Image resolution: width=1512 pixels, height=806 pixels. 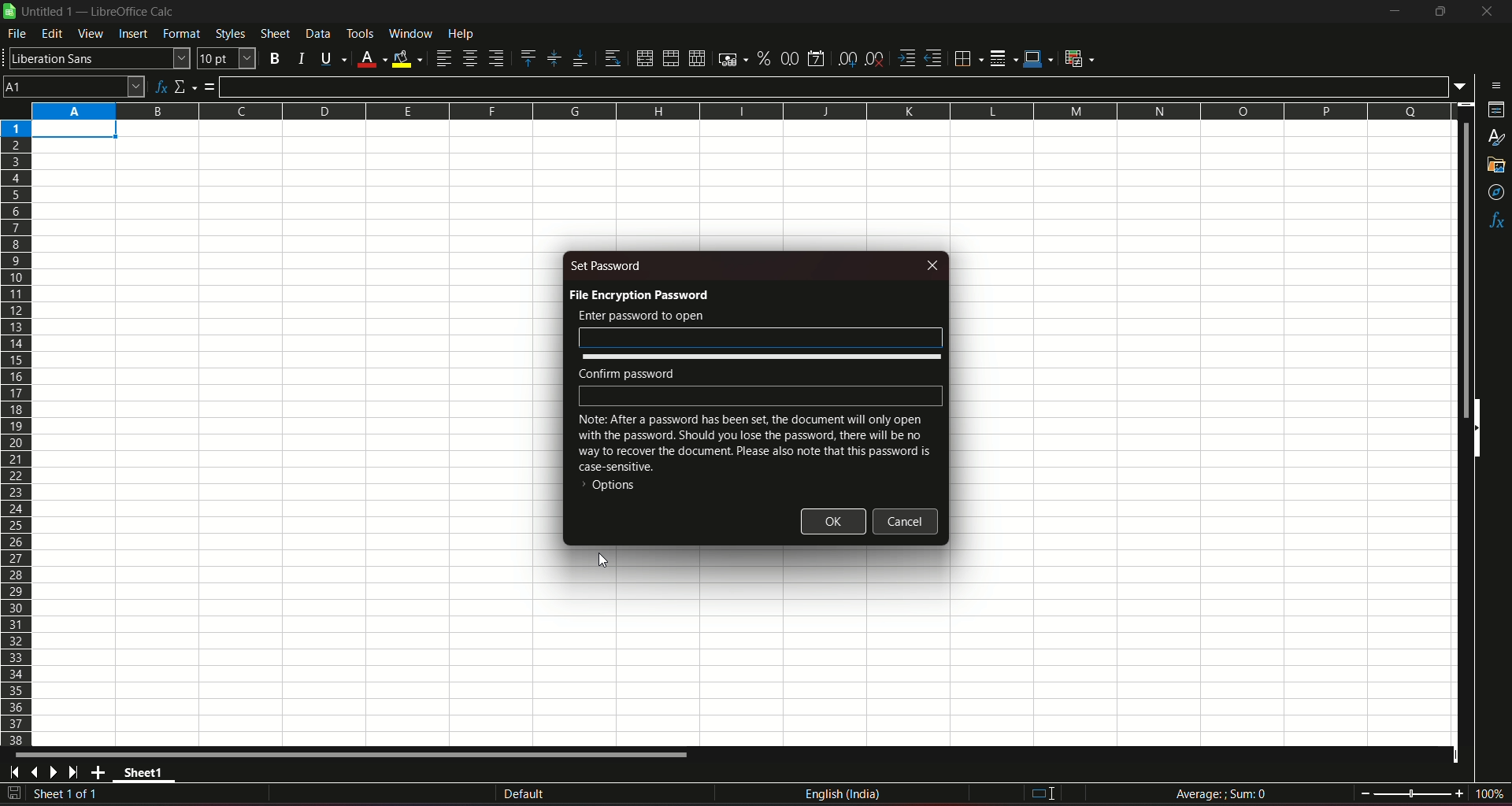 What do you see at coordinates (159, 85) in the screenshot?
I see `function wizard` at bounding box center [159, 85].